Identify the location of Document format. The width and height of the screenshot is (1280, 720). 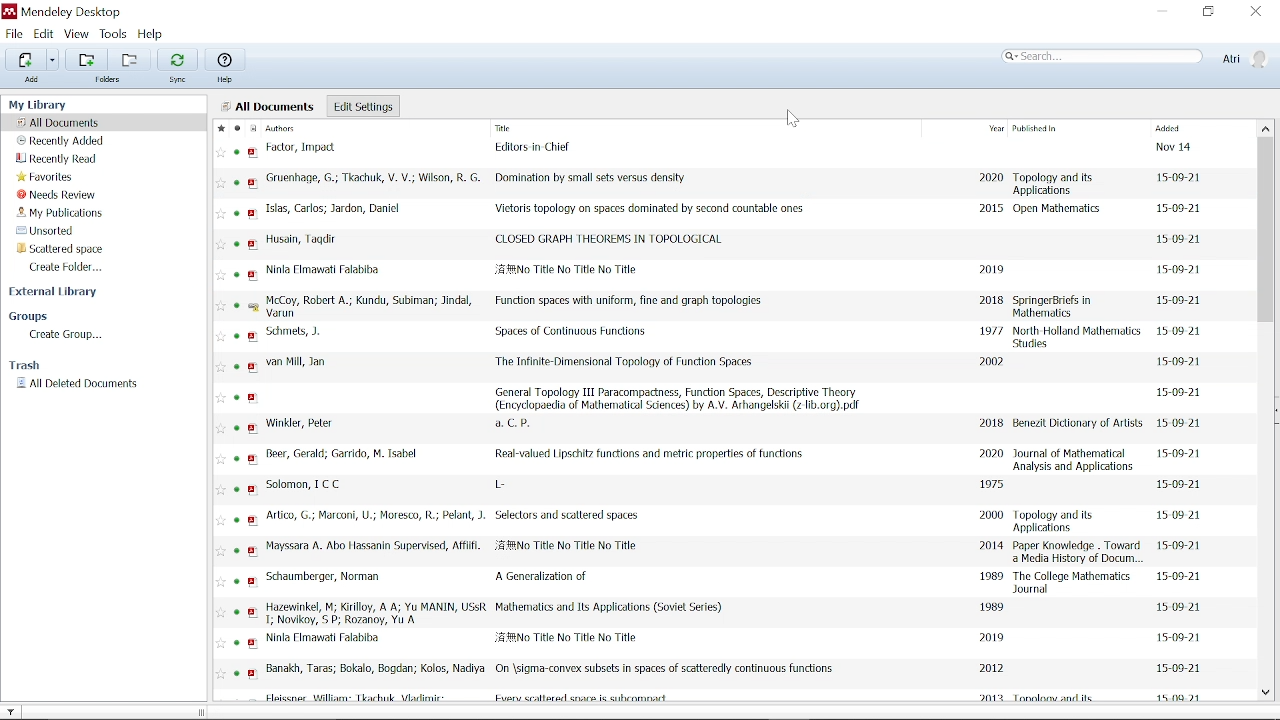
(255, 128).